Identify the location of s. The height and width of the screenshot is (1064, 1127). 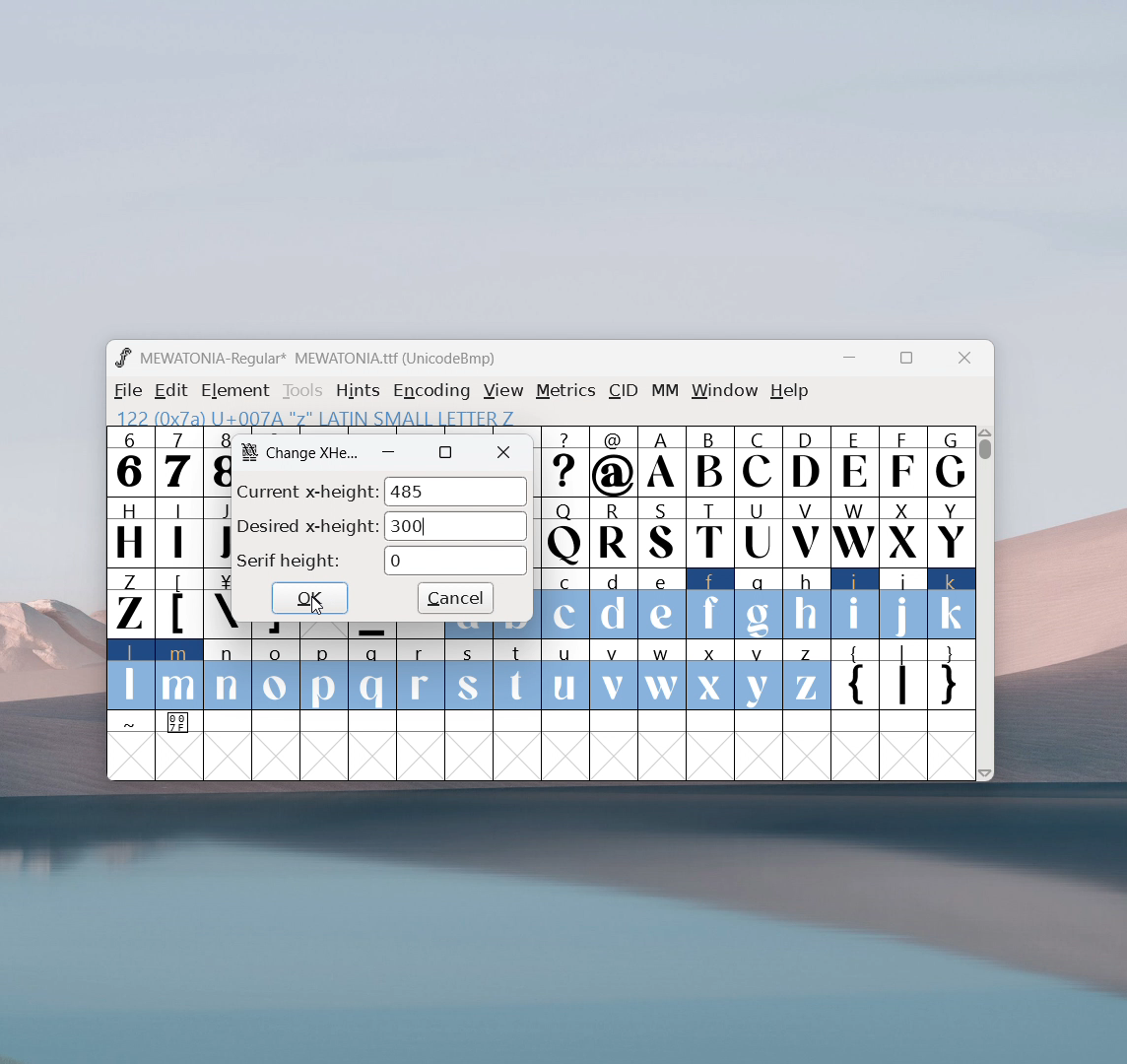
(469, 676).